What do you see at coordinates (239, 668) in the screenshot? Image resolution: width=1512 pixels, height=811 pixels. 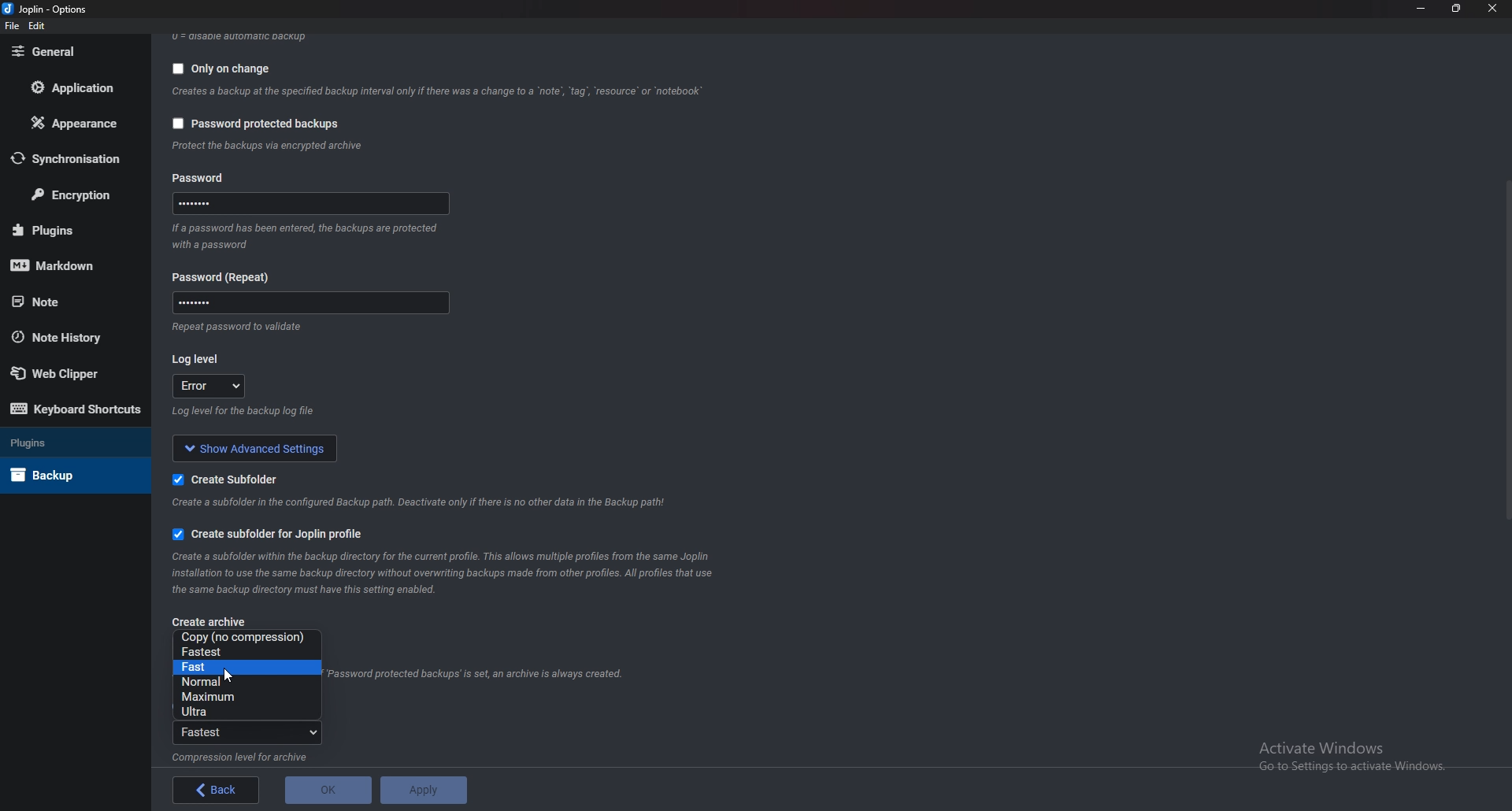 I see `fast` at bounding box center [239, 668].